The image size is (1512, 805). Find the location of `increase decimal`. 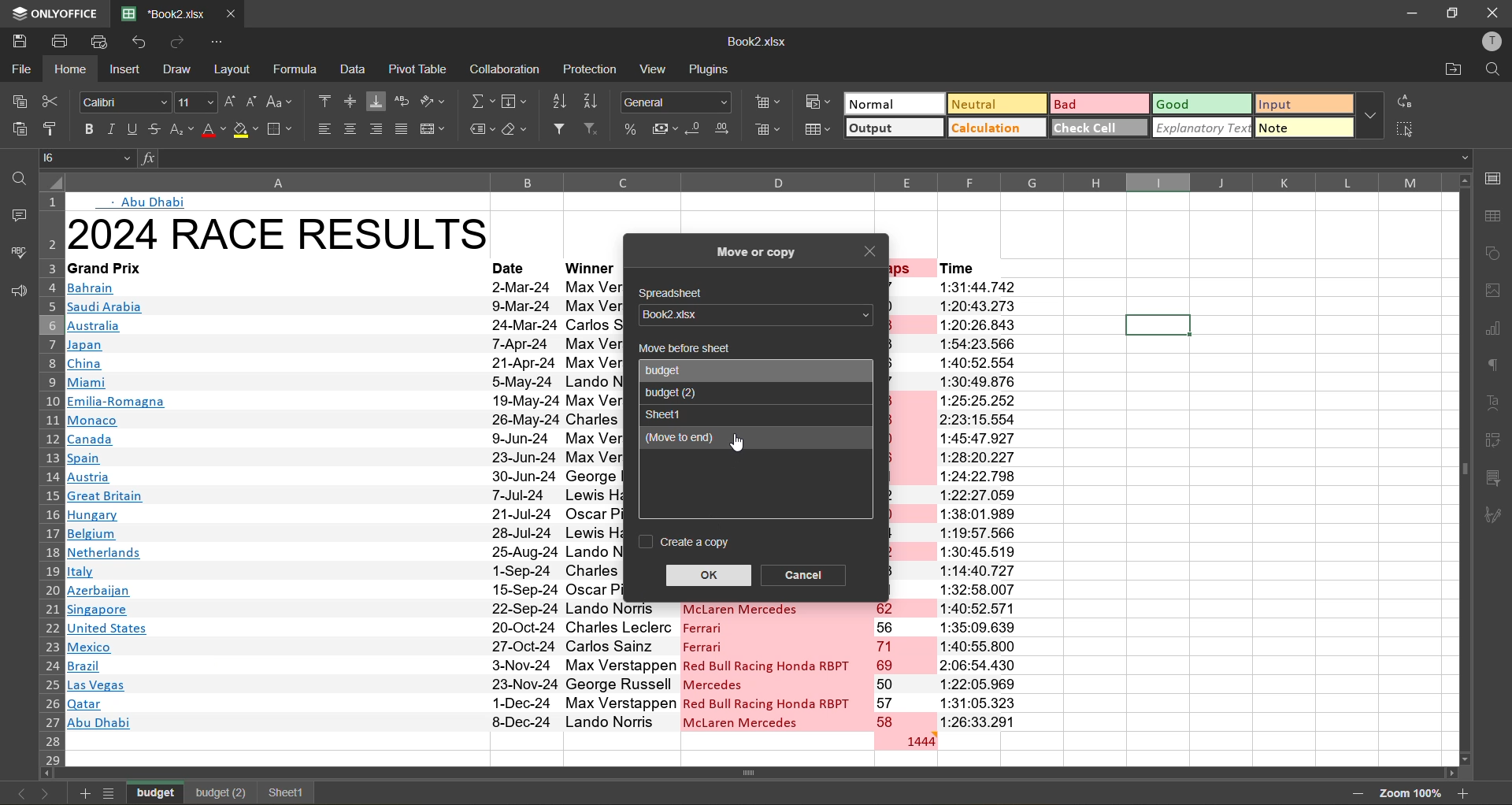

increase decimal is located at coordinates (727, 129).